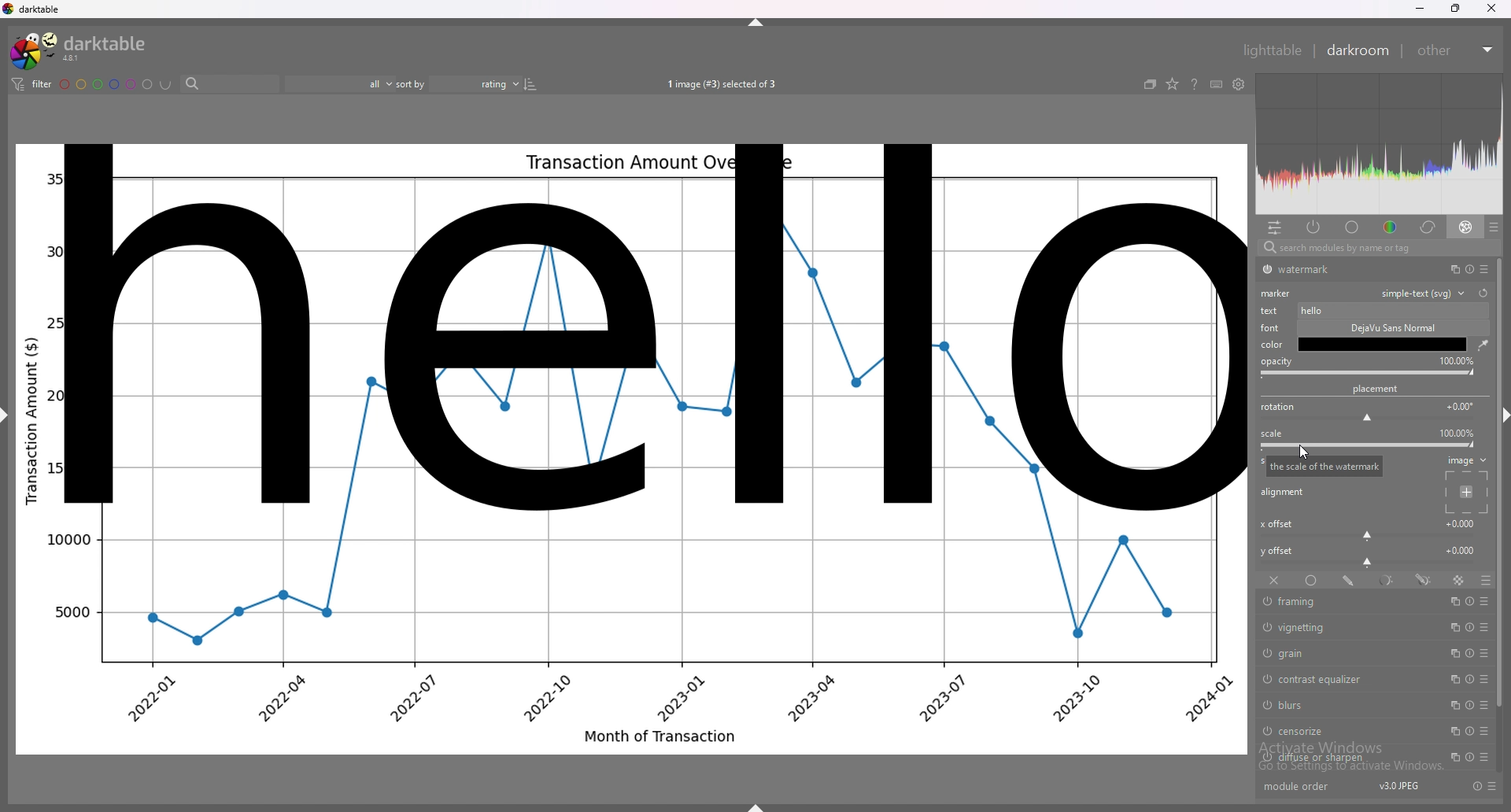  What do you see at coordinates (10, 421) in the screenshot?
I see `hide` at bounding box center [10, 421].